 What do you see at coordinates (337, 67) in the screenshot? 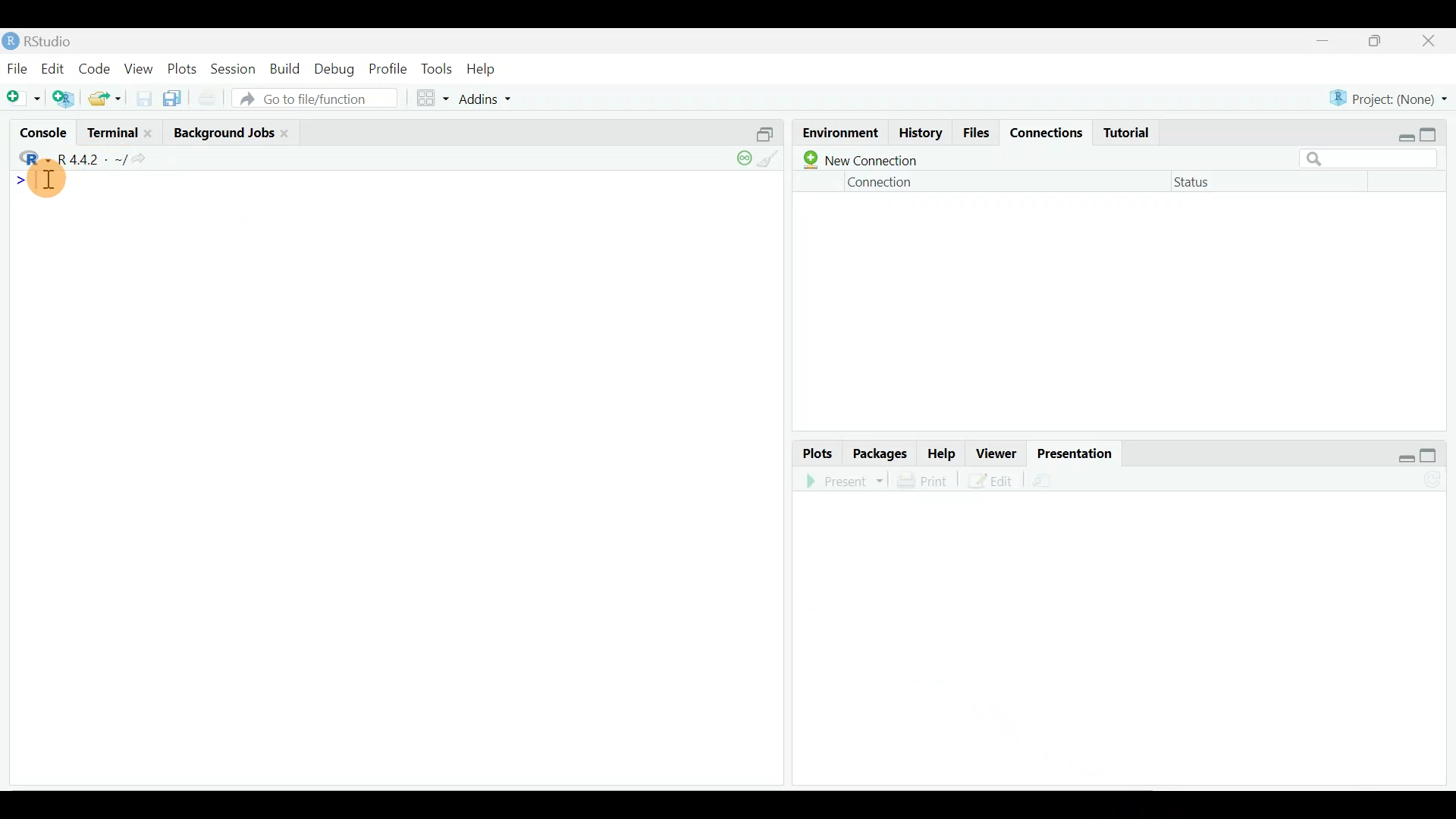
I see `Debug` at bounding box center [337, 67].